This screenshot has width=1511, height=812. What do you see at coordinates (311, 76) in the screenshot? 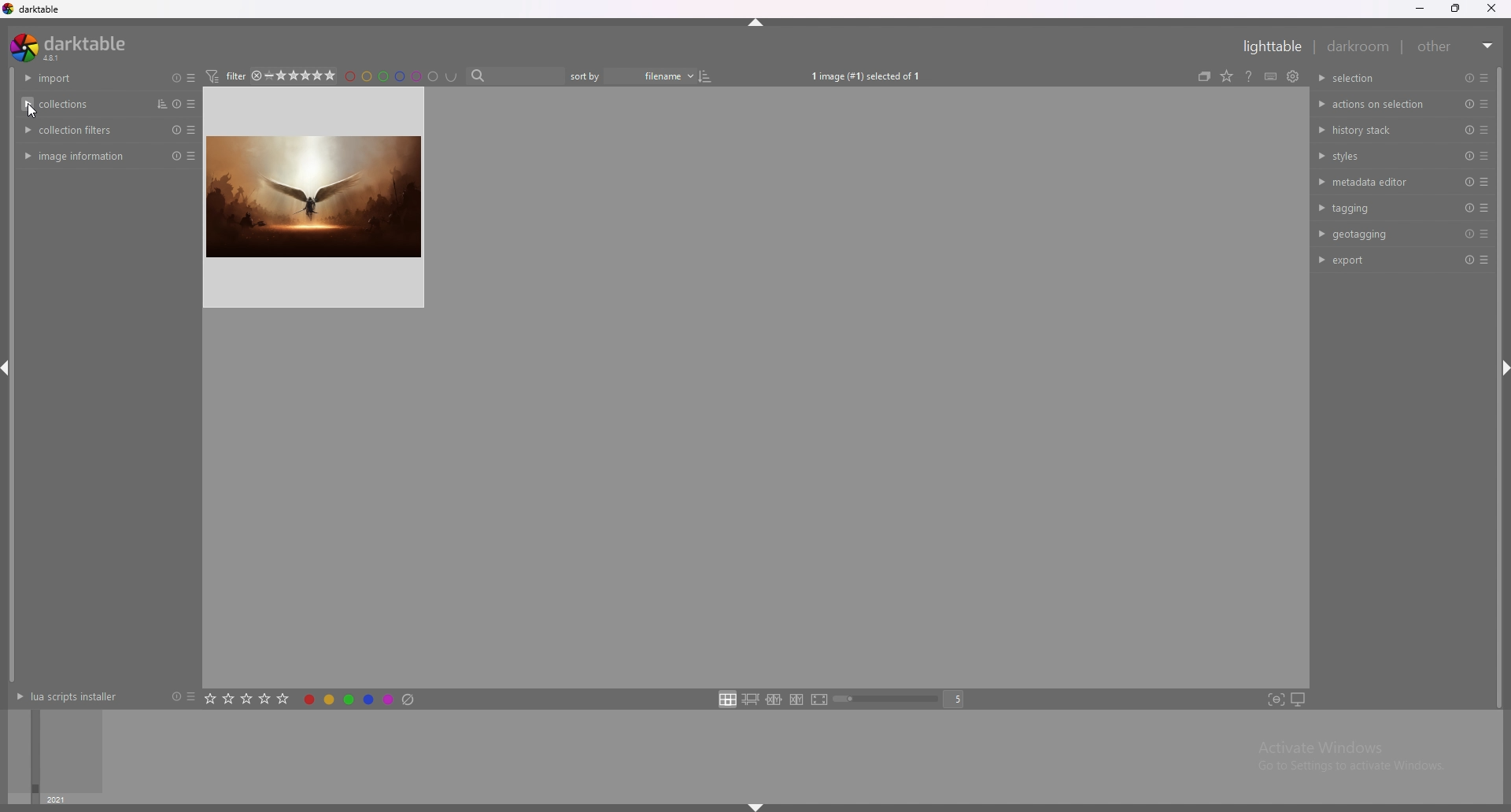
I see `star rating` at bounding box center [311, 76].